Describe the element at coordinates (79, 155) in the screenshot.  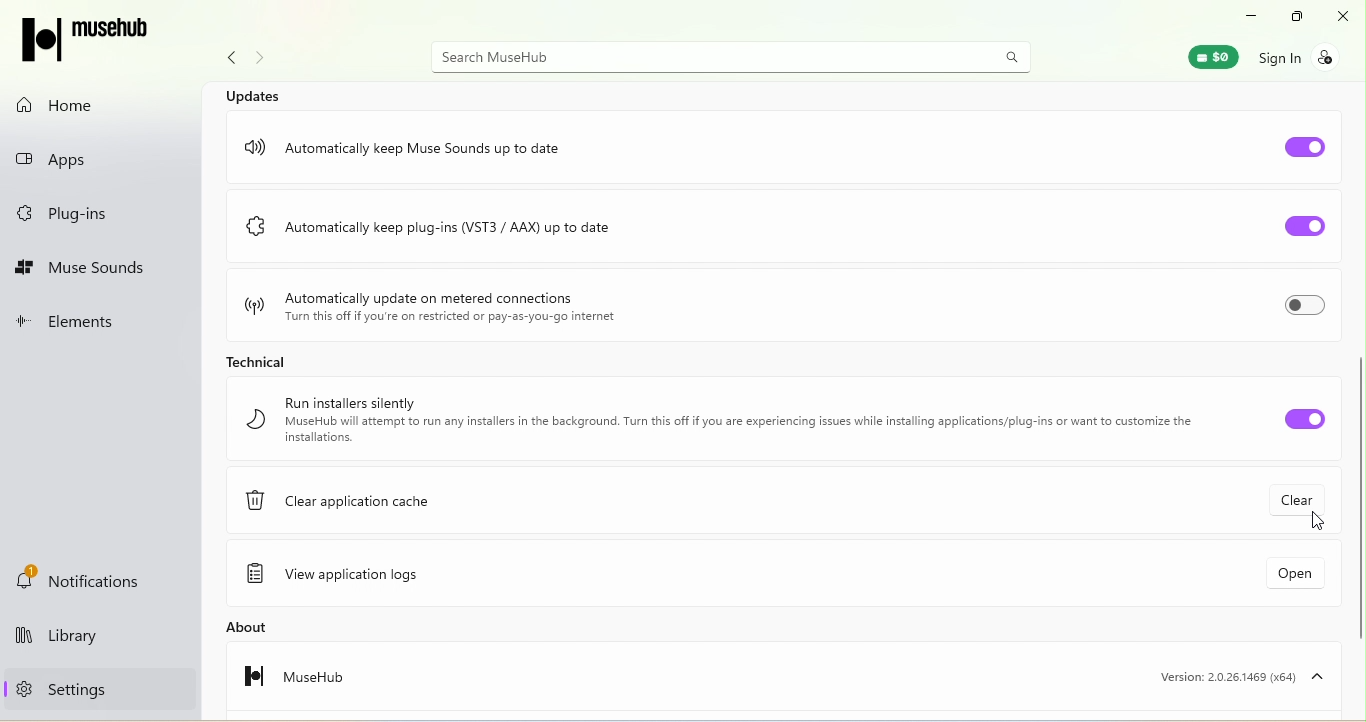
I see `Apps` at that location.